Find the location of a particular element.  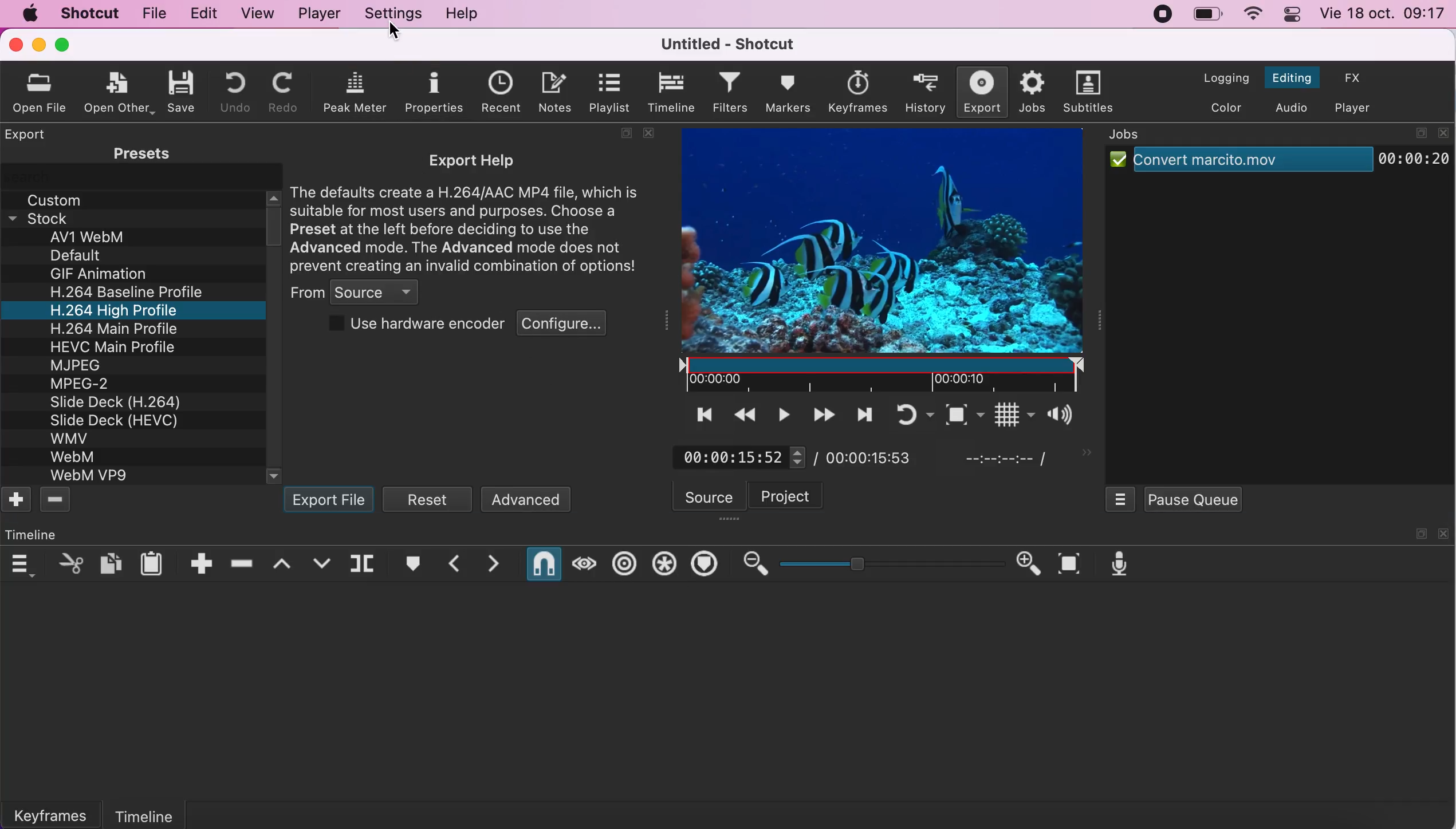

toggle play or pause is located at coordinates (782, 415).